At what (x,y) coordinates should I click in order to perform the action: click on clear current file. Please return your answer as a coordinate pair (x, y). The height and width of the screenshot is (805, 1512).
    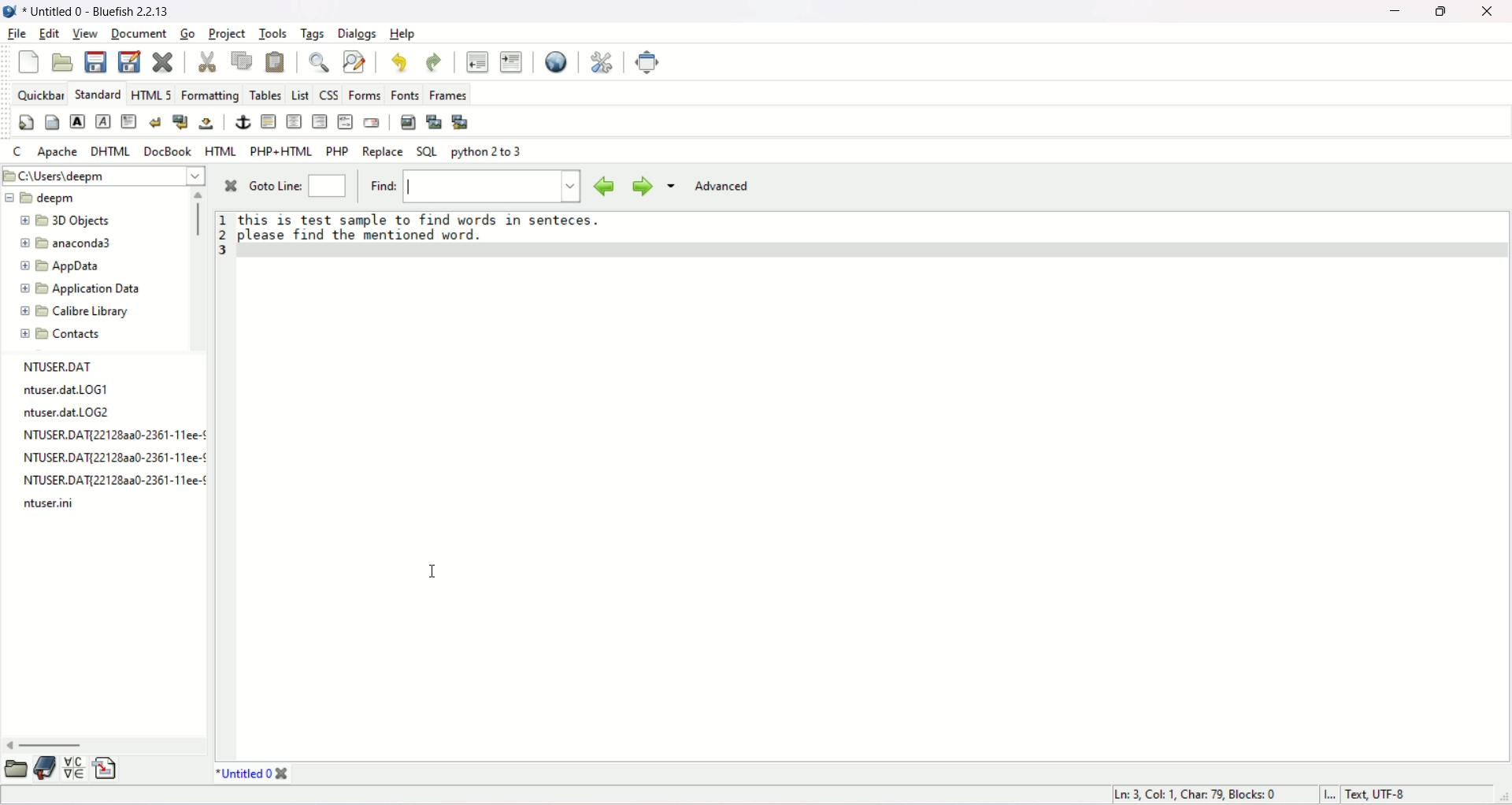
    Looking at the image, I should click on (163, 61).